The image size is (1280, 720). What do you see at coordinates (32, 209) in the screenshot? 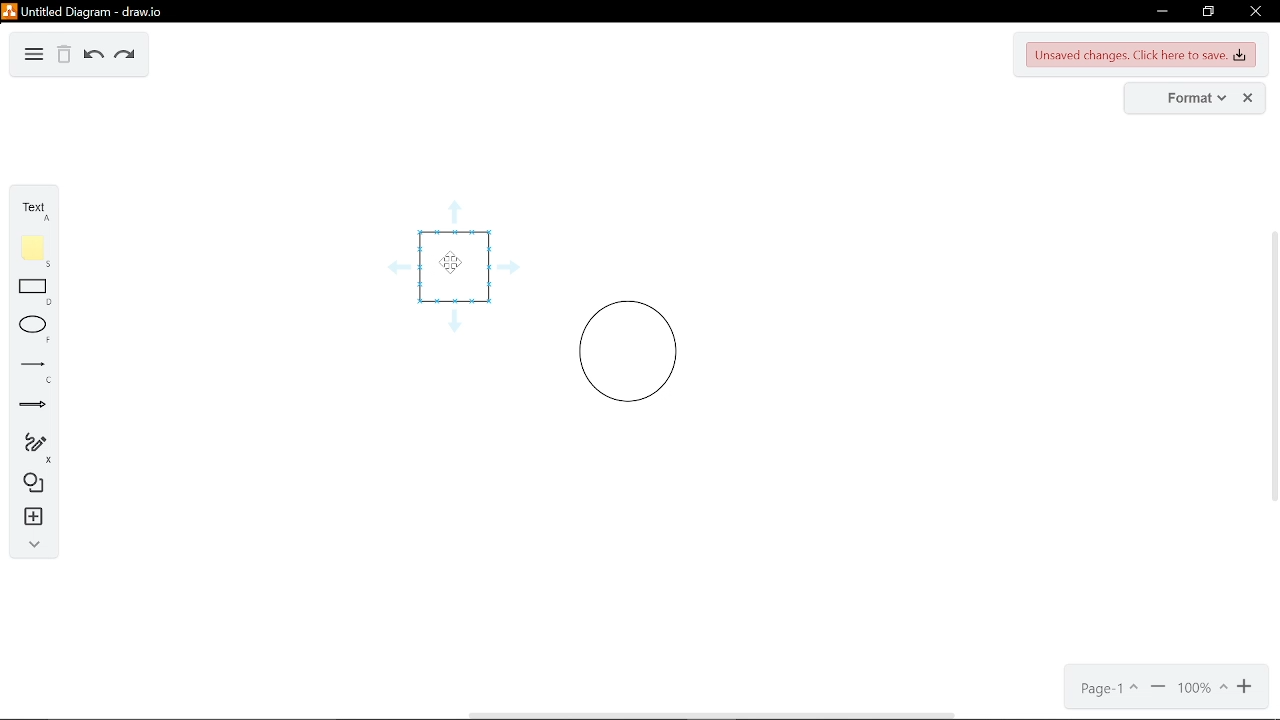
I see `text` at bounding box center [32, 209].